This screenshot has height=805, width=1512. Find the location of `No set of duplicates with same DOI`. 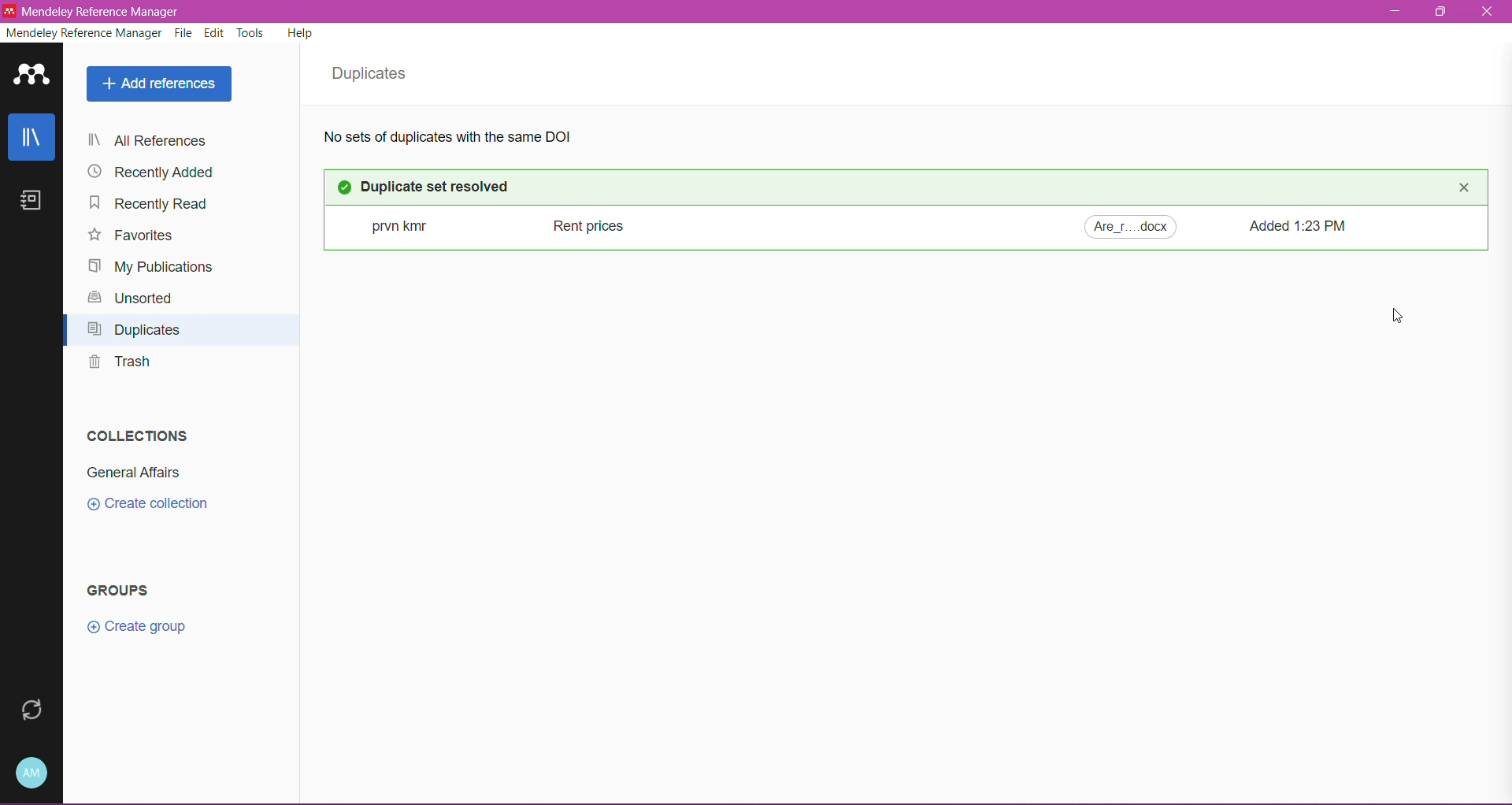

No set of duplicates with same DOI is located at coordinates (465, 137).